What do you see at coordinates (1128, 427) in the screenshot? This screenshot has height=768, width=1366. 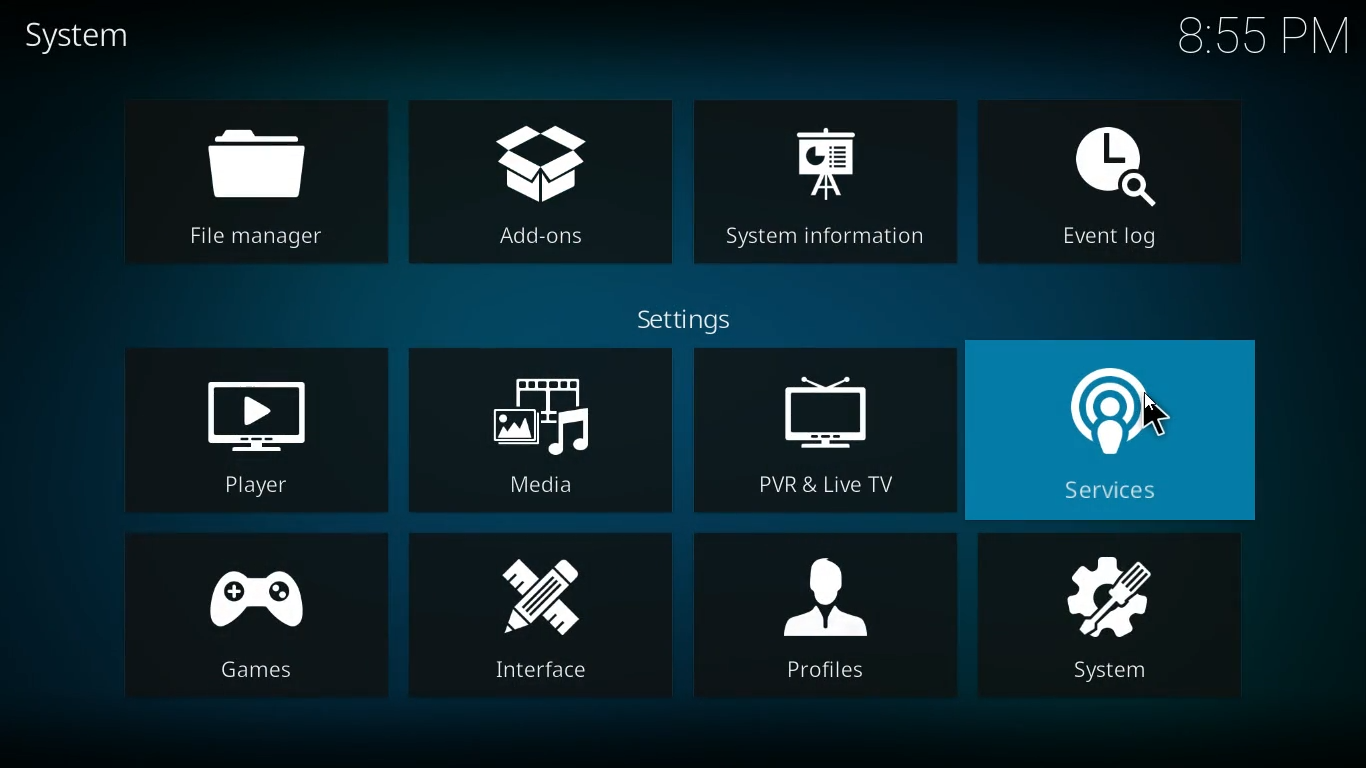 I see `services` at bounding box center [1128, 427].